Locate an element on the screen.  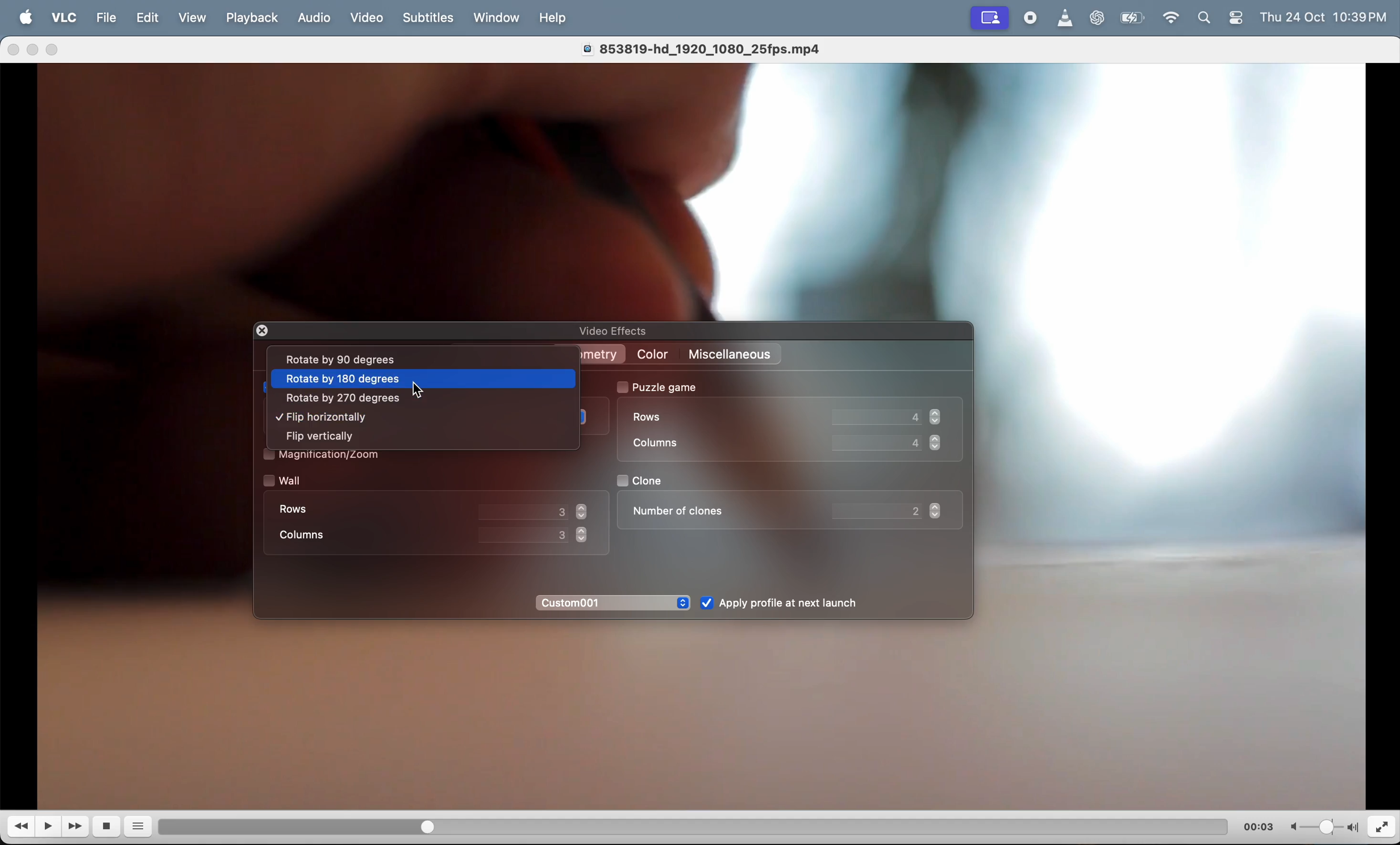
value is located at coordinates (536, 512).